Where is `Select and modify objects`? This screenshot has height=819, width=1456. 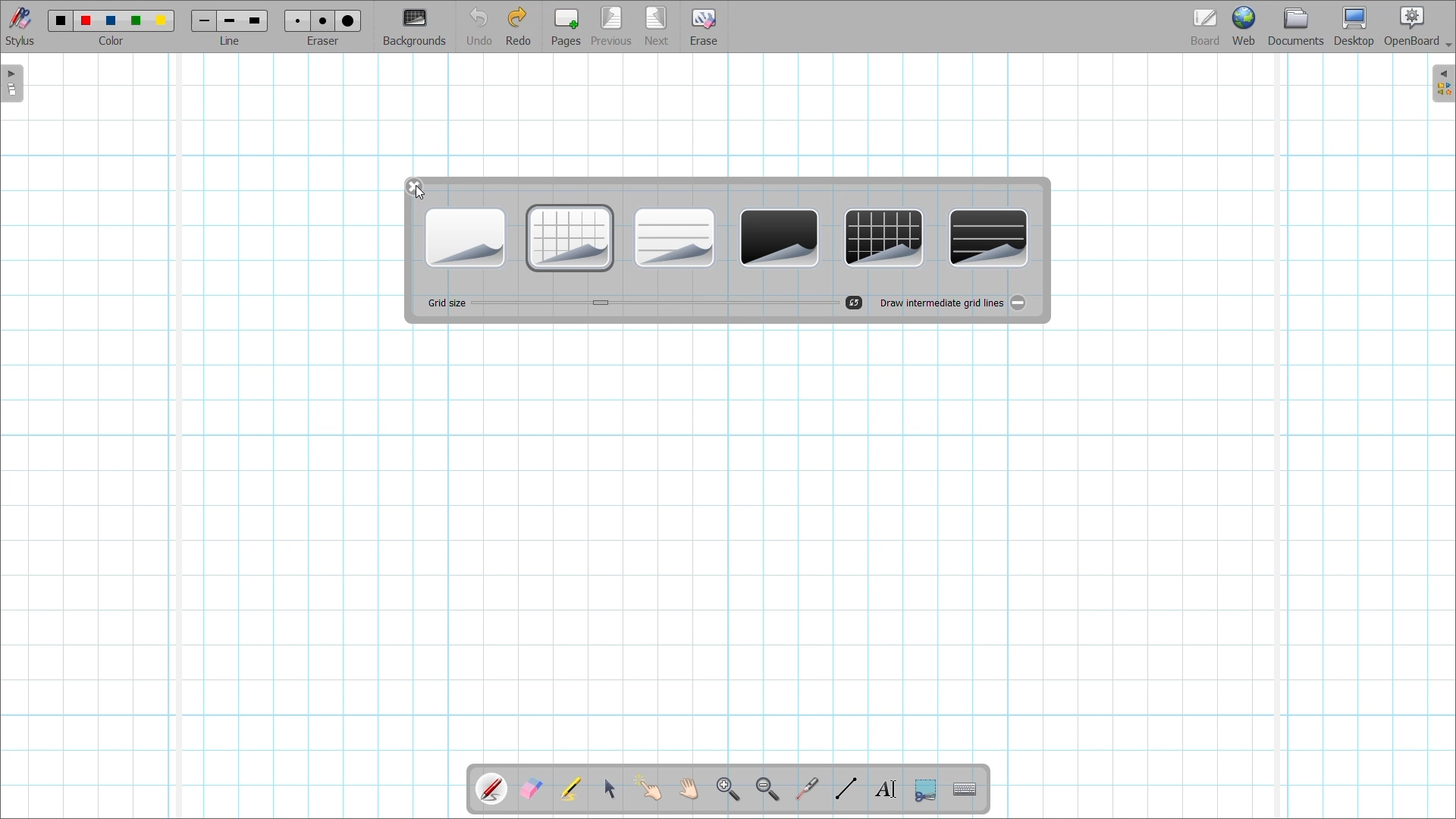 Select and modify objects is located at coordinates (610, 788).